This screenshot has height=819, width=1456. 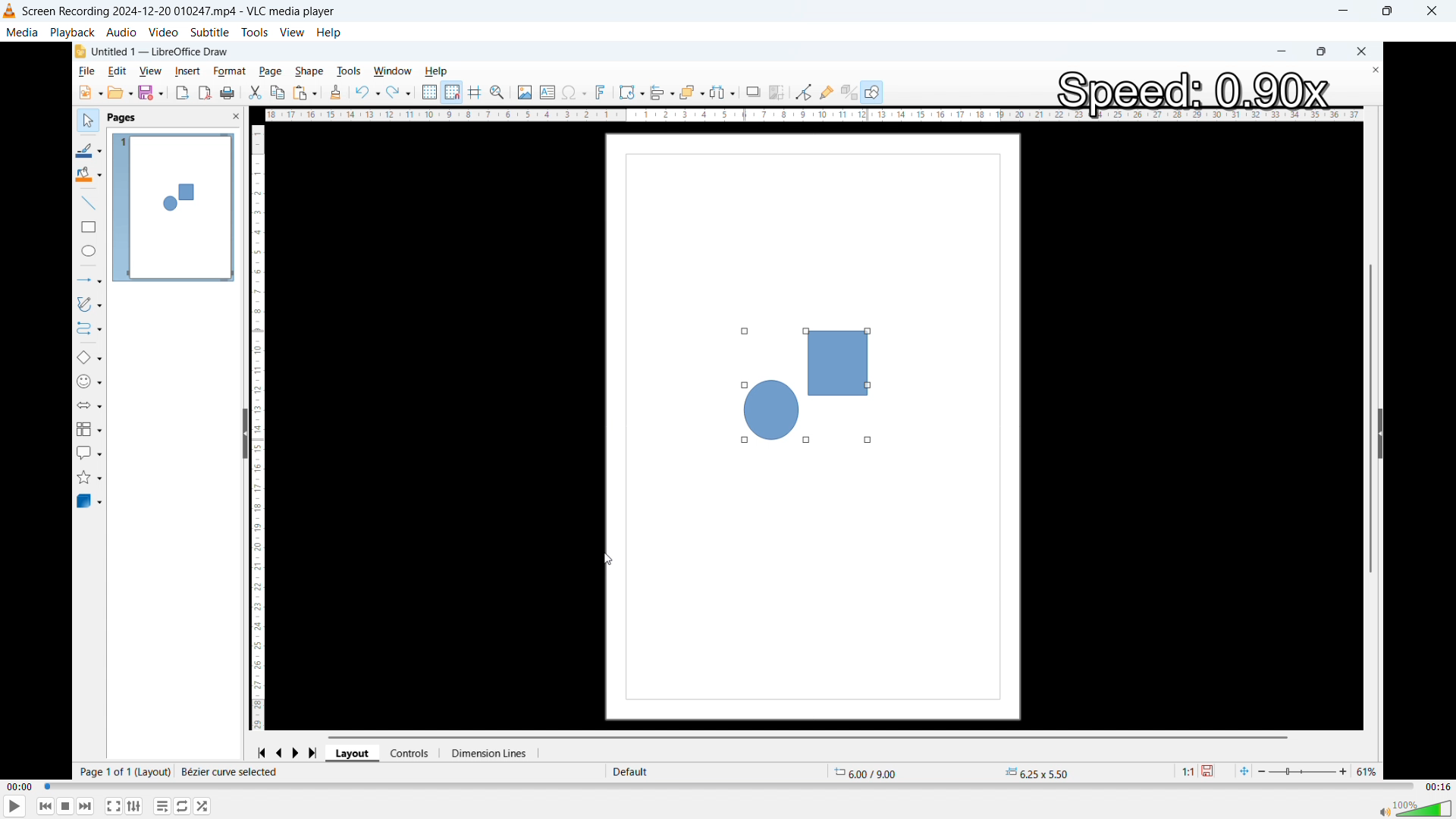 What do you see at coordinates (122, 32) in the screenshot?
I see `Audio ` at bounding box center [122, 32].